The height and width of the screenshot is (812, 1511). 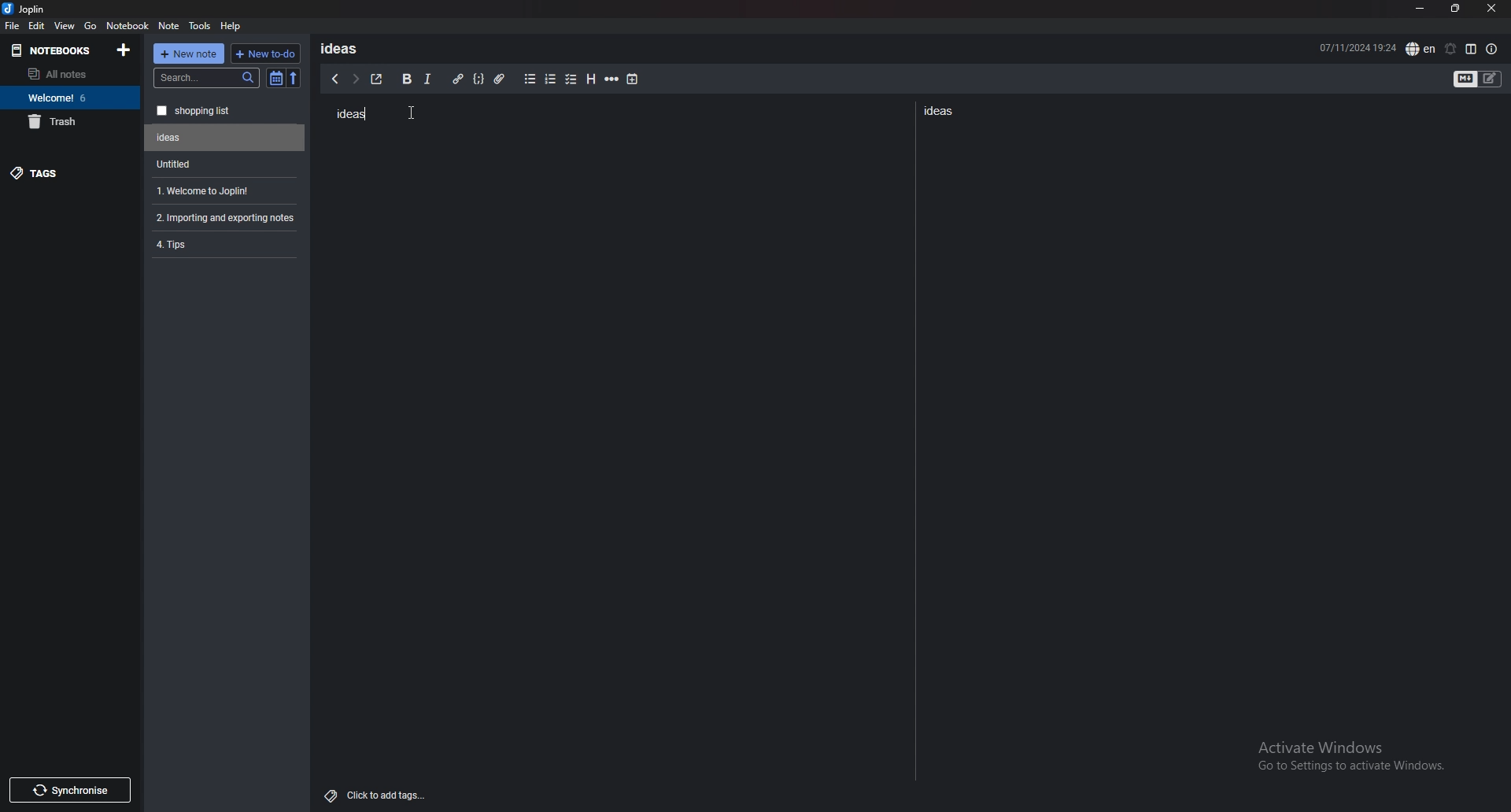 I want to click on horizontal rule, so click(x=611, y=79).